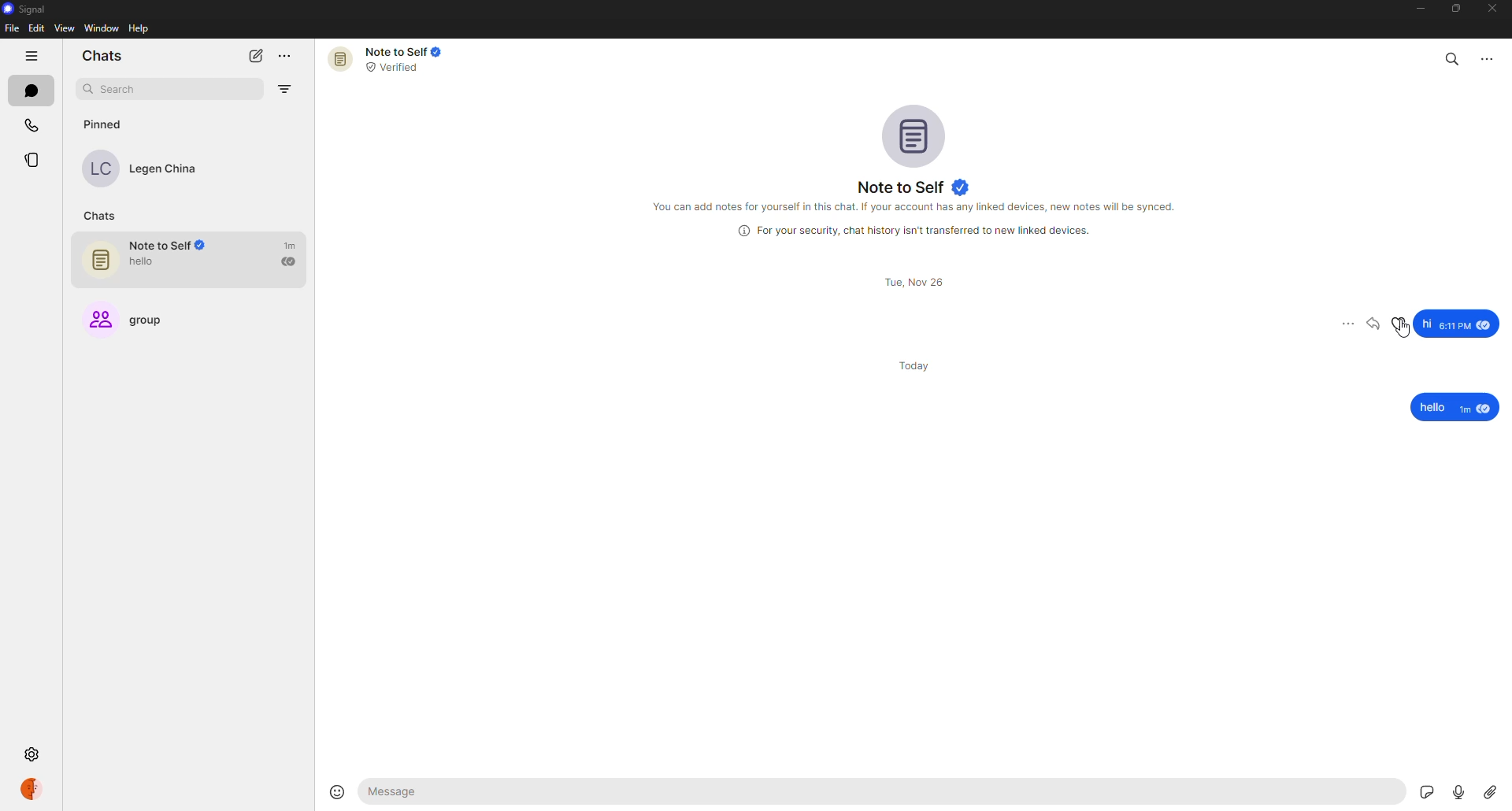  What do you see at coordinates (1455, 788) in the screenshot?
I see `record` at bounding box center [1455, 788].